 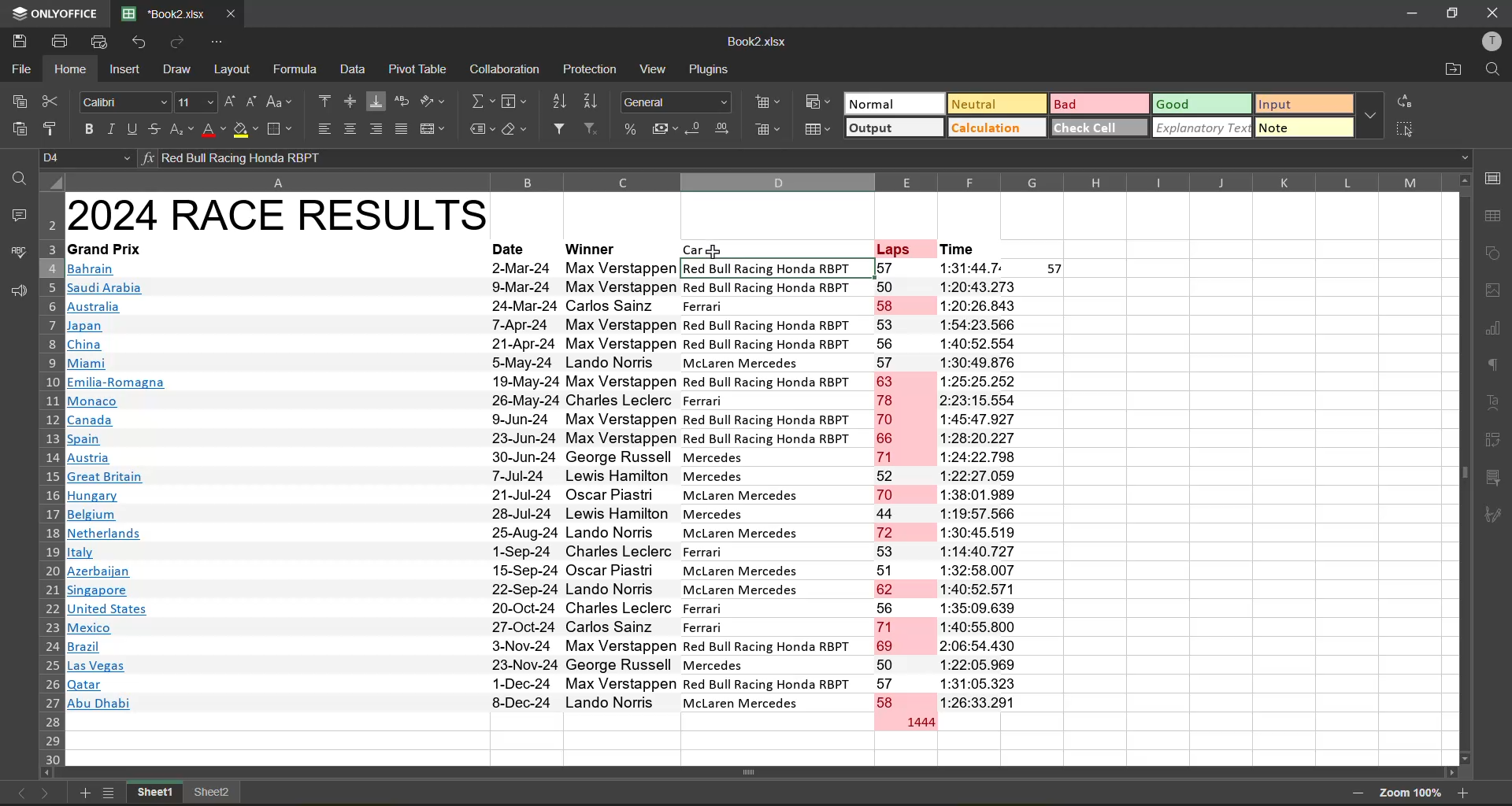 What do you see at coordinates (1304, 104) in the screenshot?
I see `input` at bounding box center [1304, 104].